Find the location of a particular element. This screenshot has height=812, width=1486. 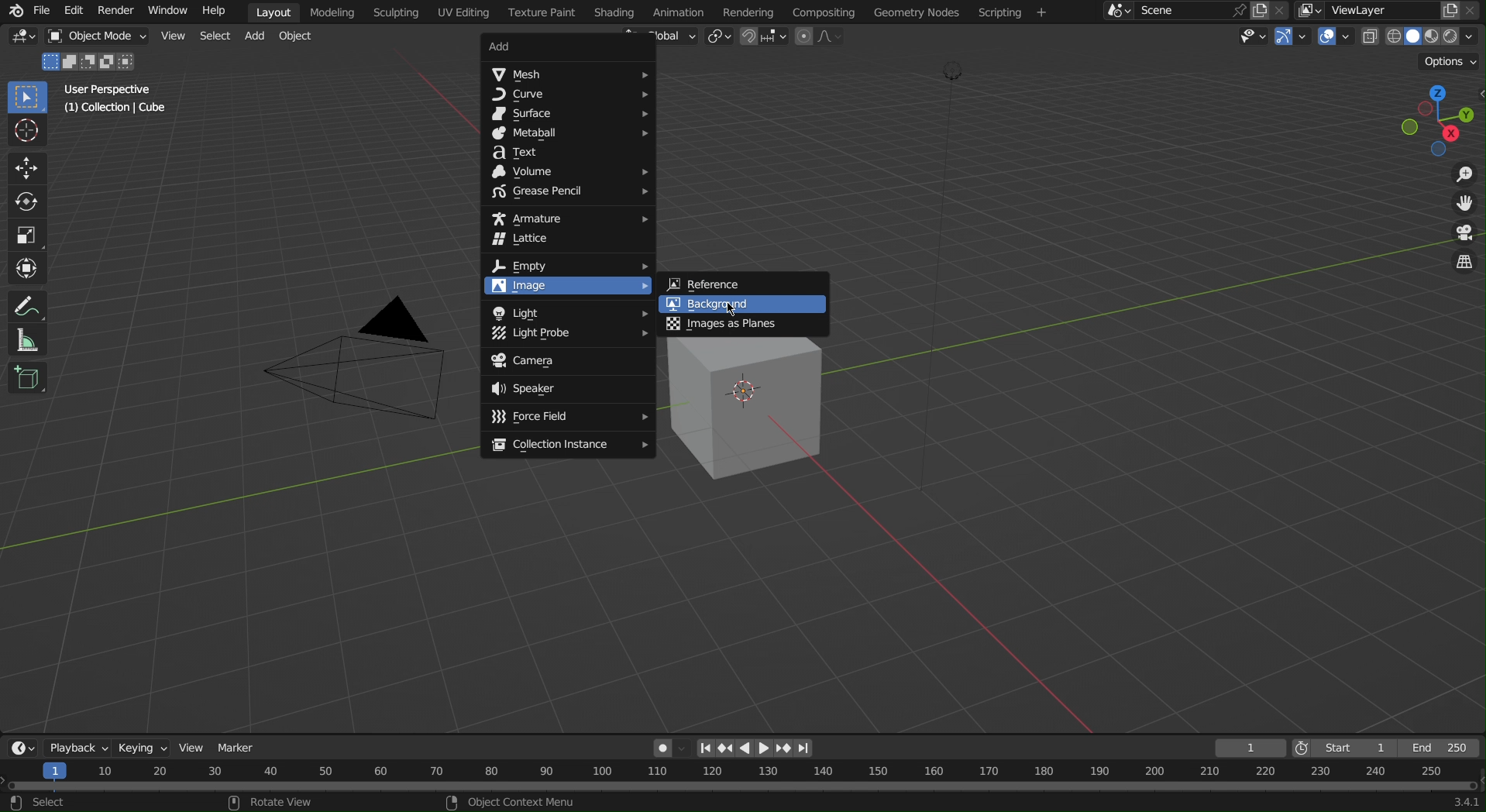

Armature is located at coordinates (566, 215).